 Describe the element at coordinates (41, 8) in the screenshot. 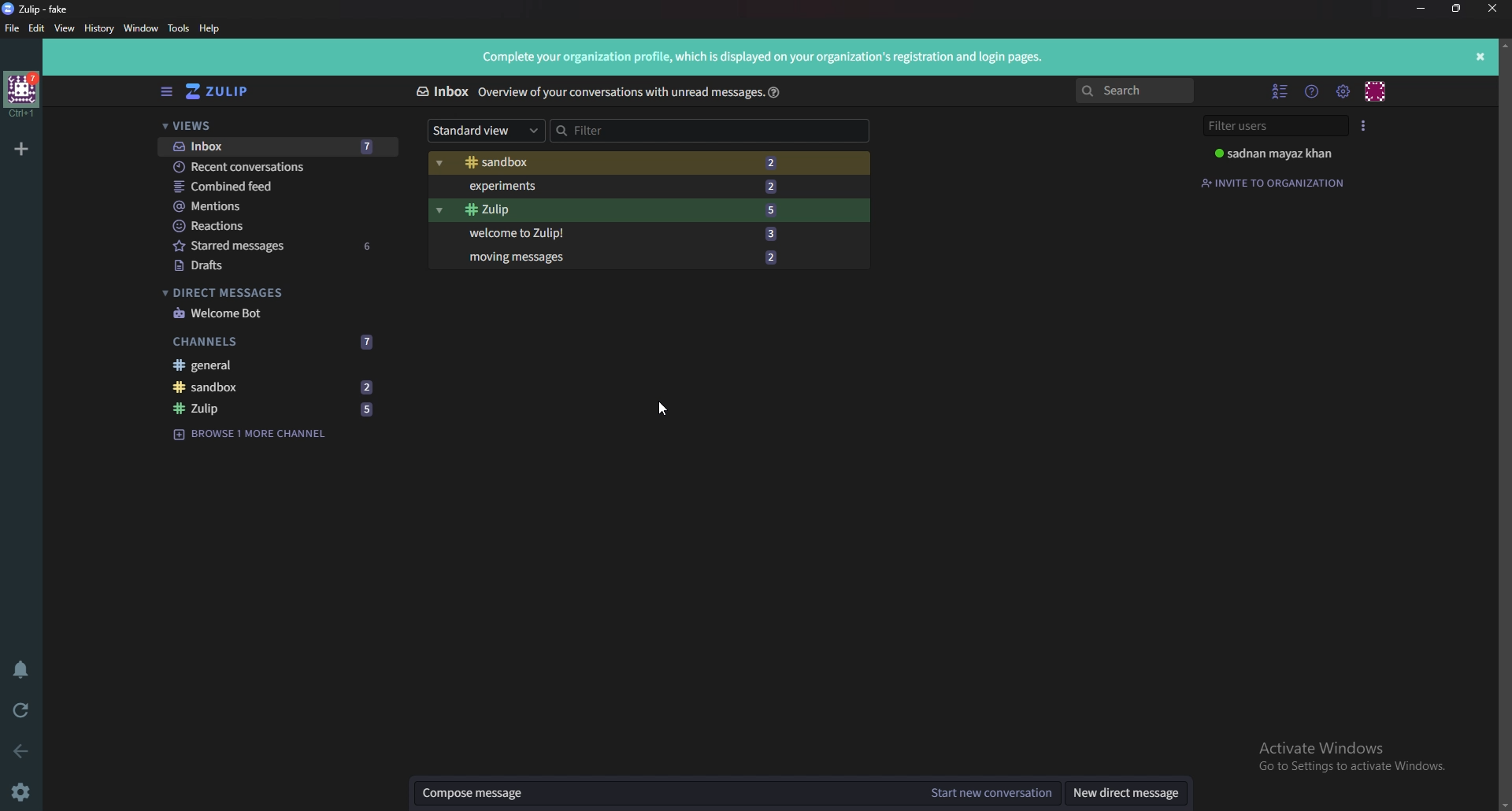

I see `Zulip-fake` at that location.